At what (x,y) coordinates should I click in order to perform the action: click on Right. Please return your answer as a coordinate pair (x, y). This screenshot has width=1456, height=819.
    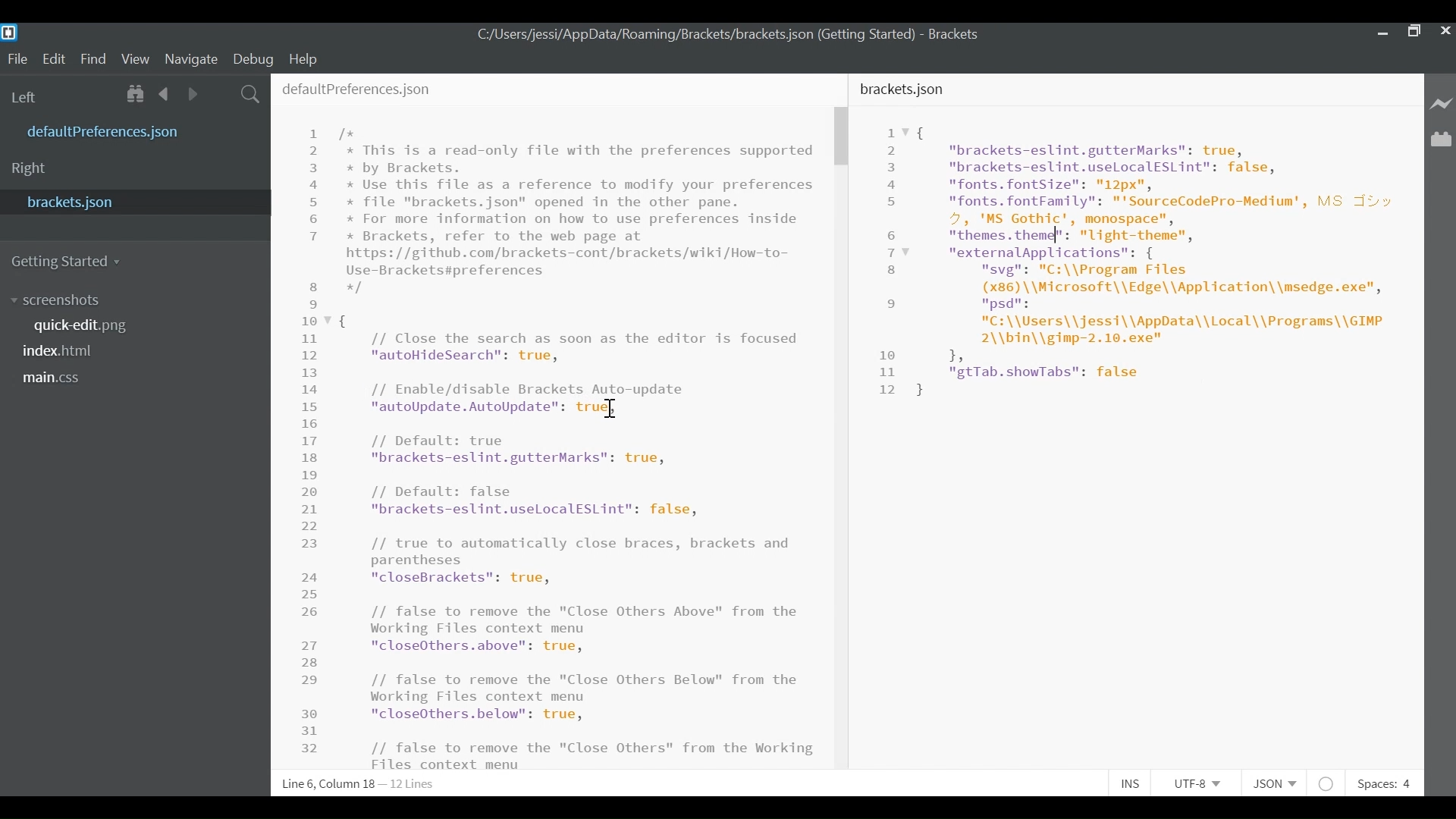
    Looking at the image, I should click on (29, 169).